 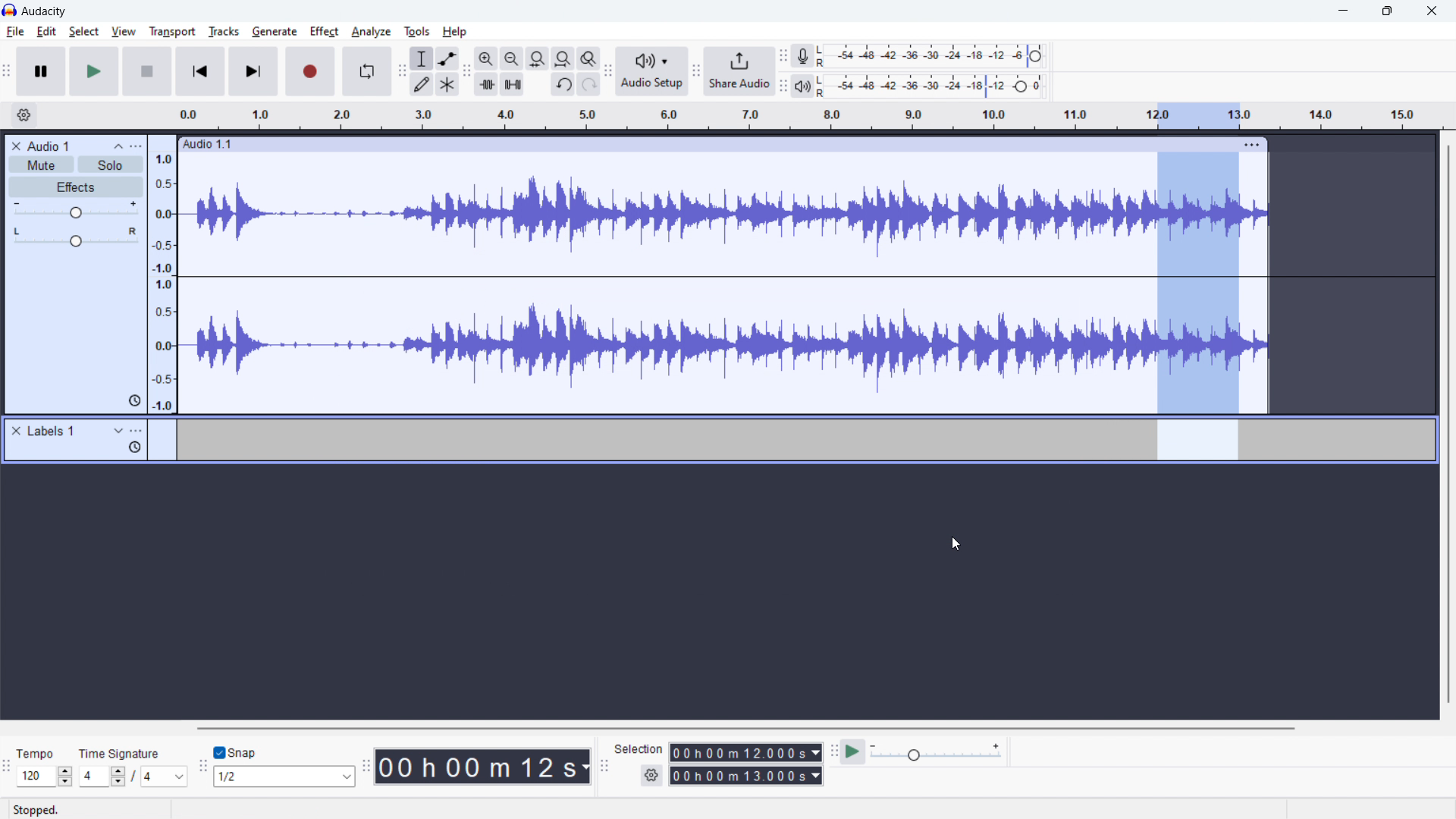 I want to click on history, so click(x=136, y=400).